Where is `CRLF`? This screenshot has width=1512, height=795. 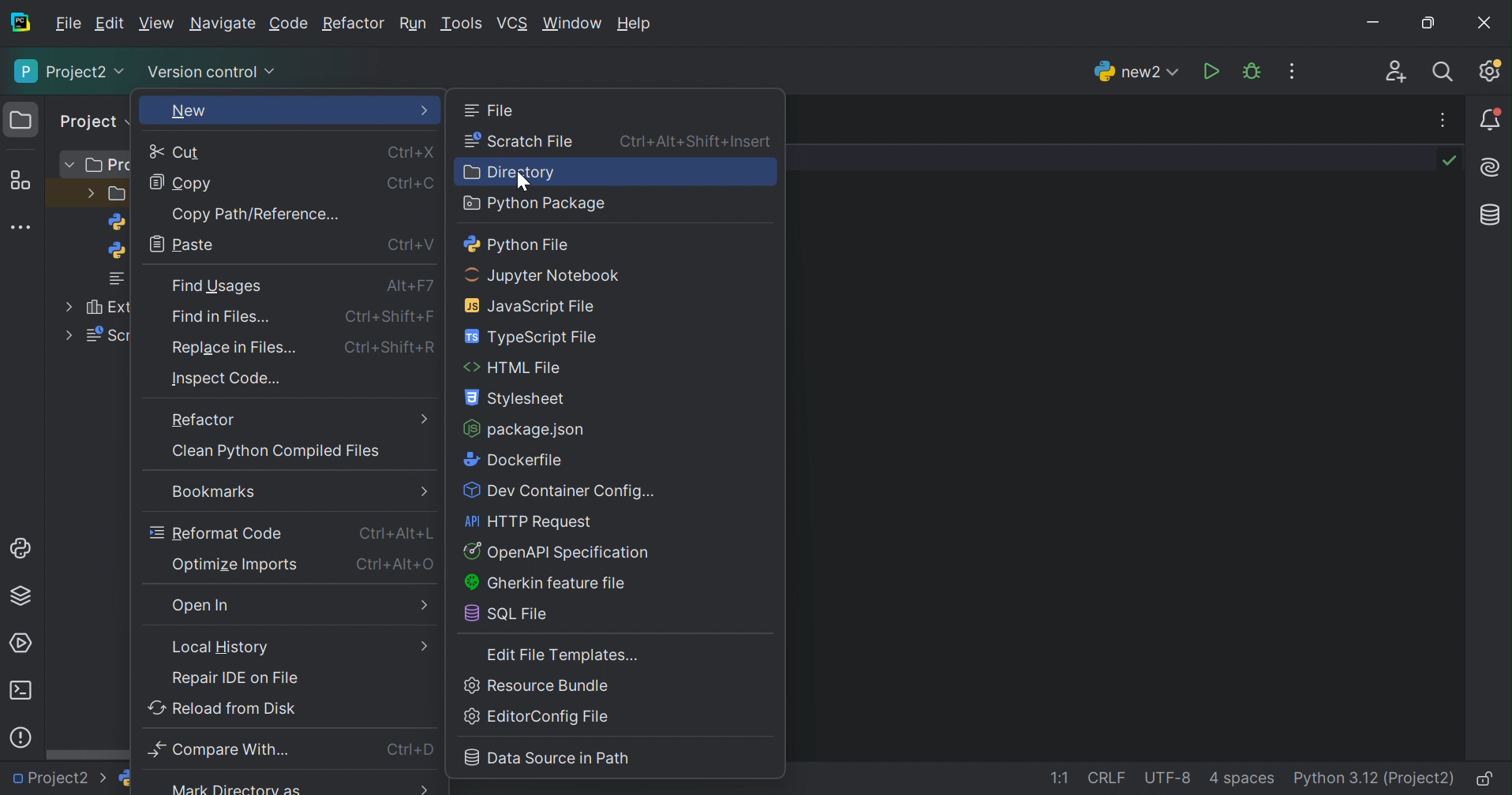
CRLF is located at coordinates (1108, 778).